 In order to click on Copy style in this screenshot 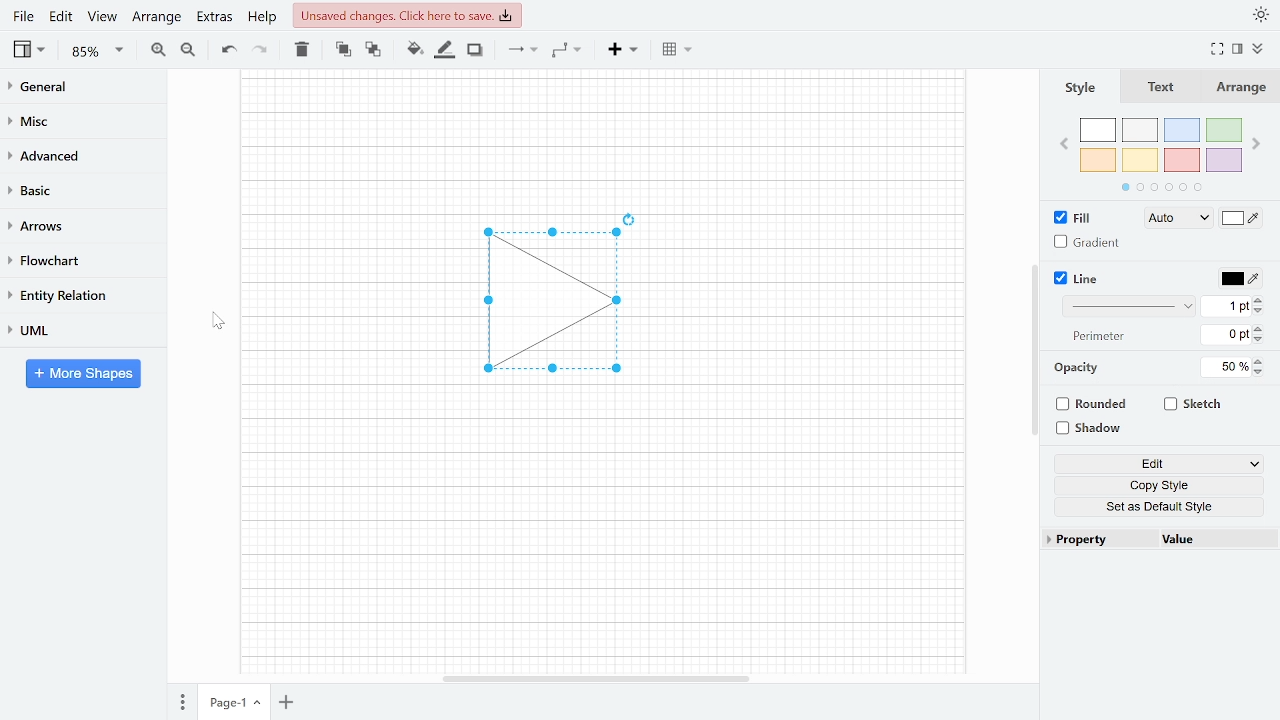, I will do `click(1163, 486)`.